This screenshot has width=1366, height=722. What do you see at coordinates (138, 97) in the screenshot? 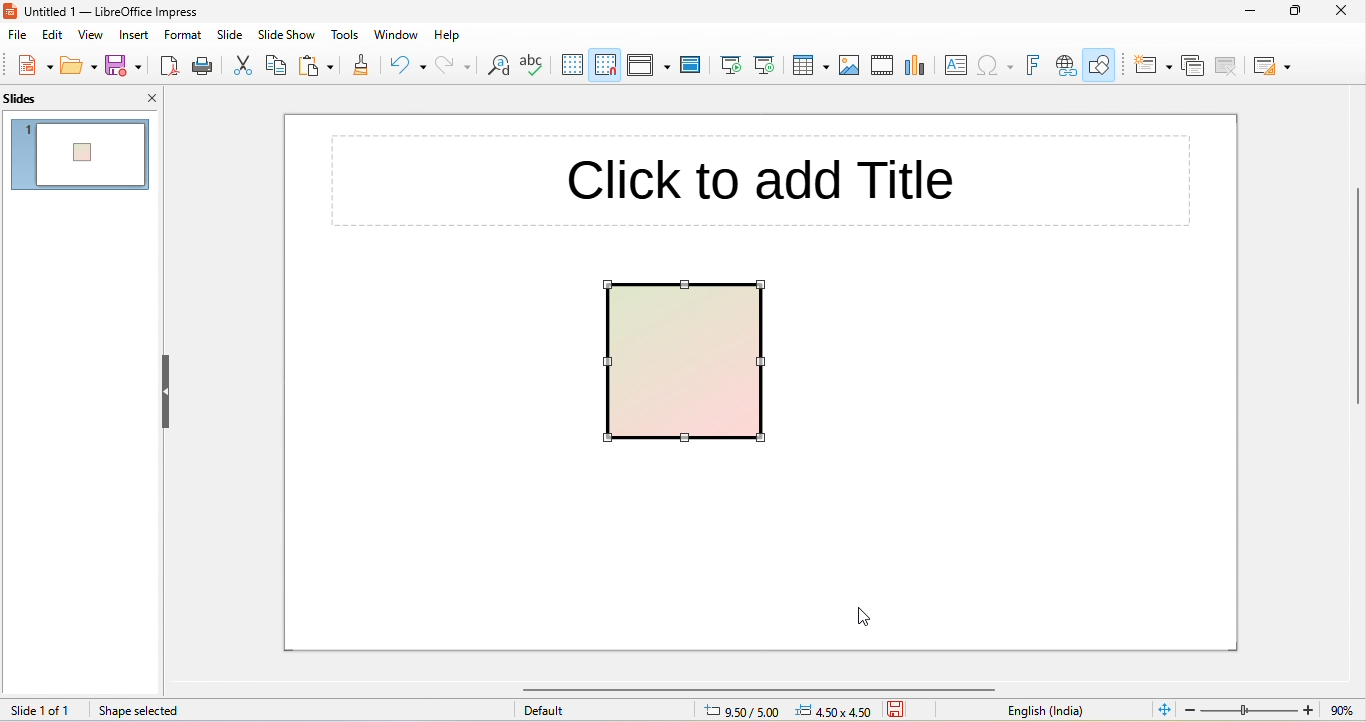
I see `close` at bounding box center [138, 97].